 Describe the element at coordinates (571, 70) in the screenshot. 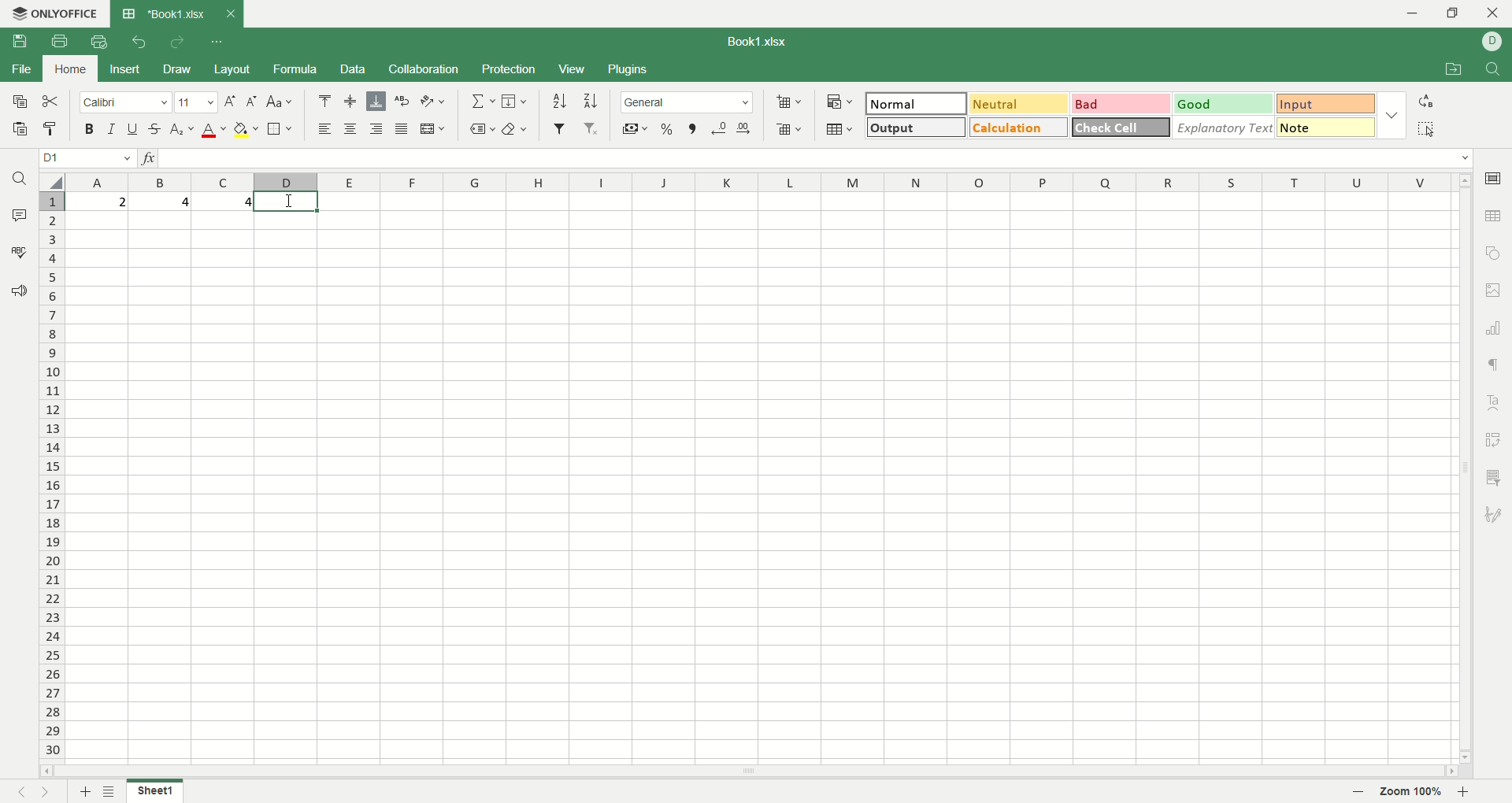

I see `view` at that location.